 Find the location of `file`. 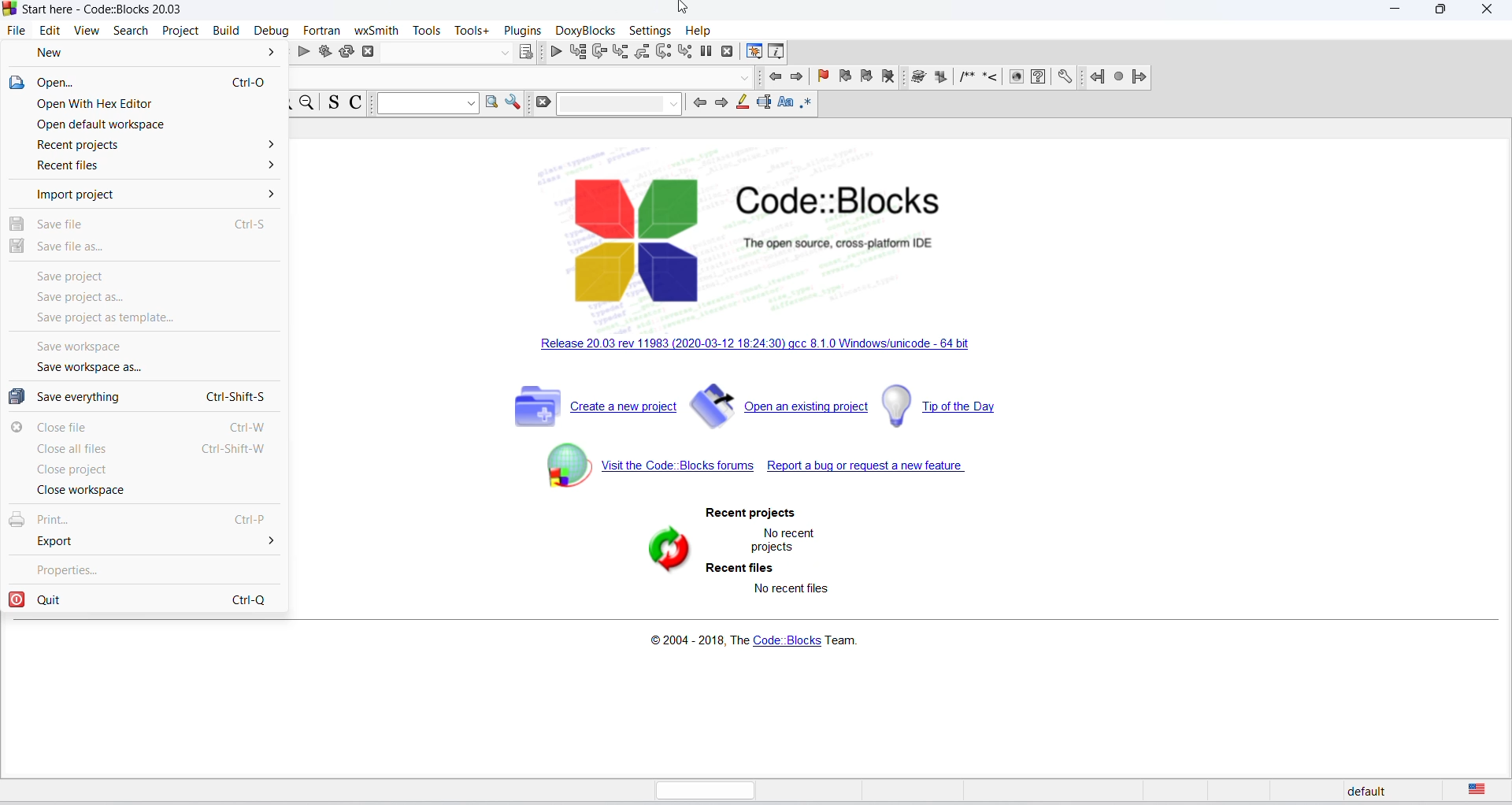

file is located at coordinates (17, 31).